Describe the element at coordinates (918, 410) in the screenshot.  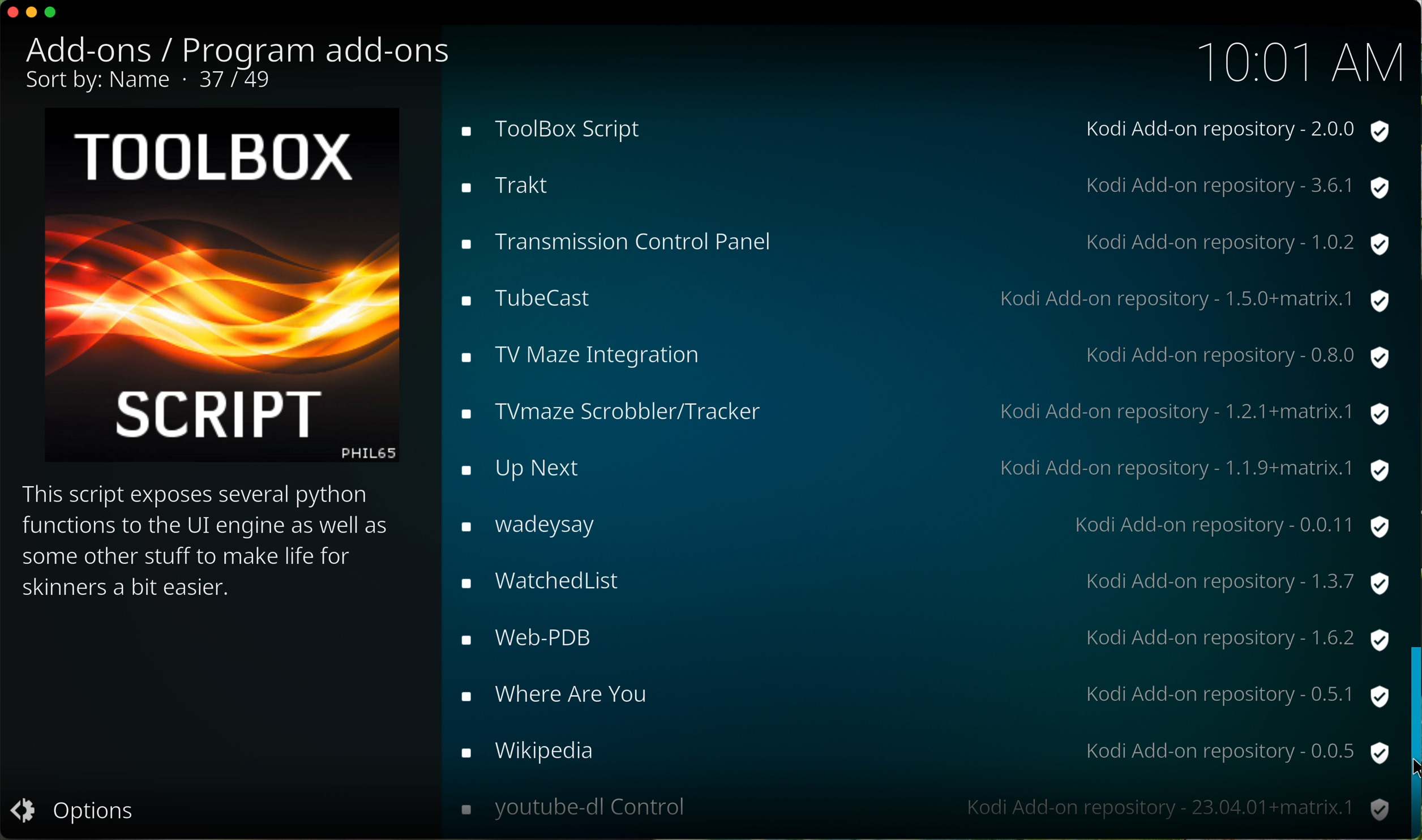
I see `tvmaze scrobbler/tracker` at that location.